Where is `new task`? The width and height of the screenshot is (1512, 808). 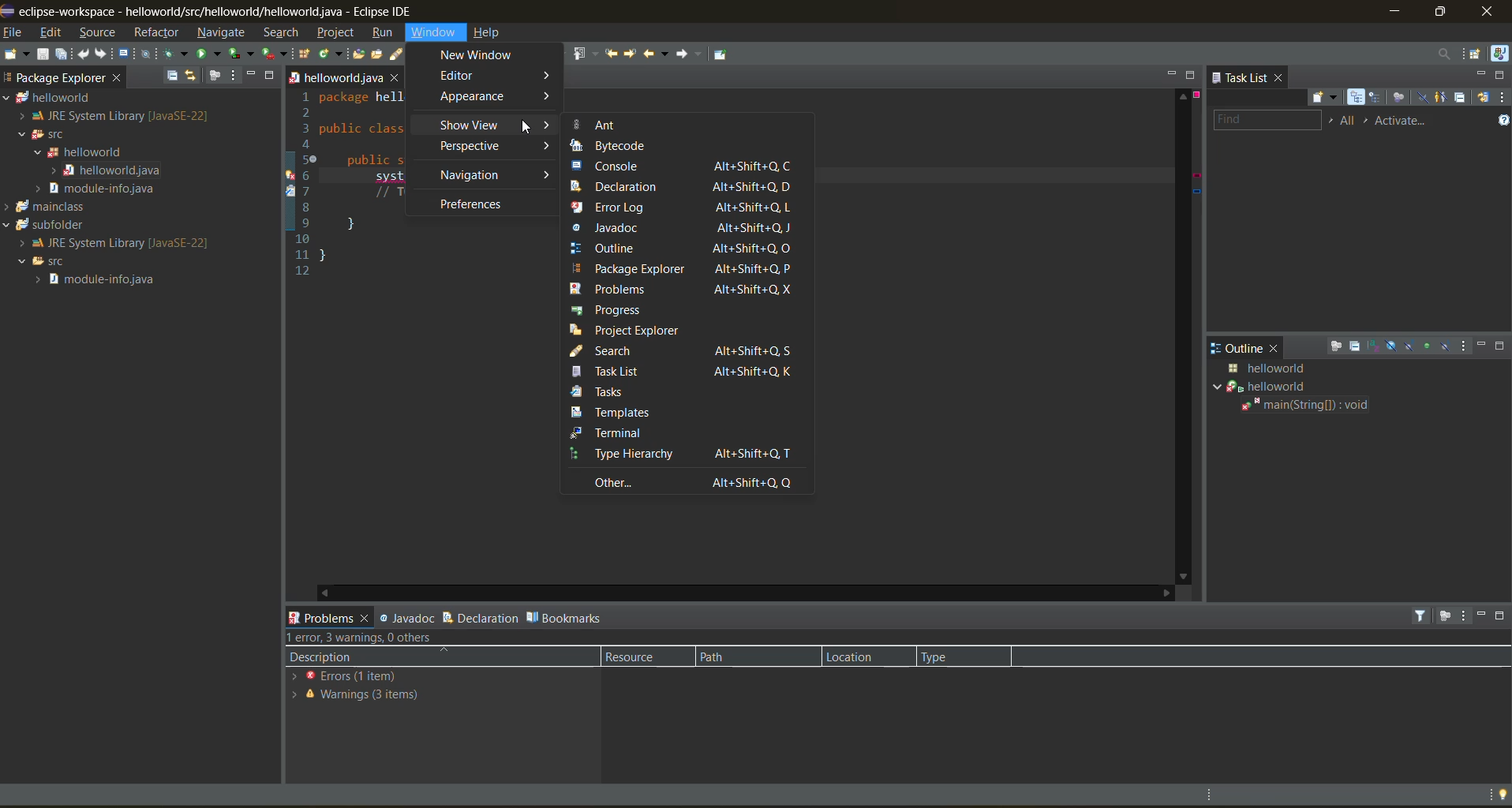 new task is located at coordinates (1327, 96).